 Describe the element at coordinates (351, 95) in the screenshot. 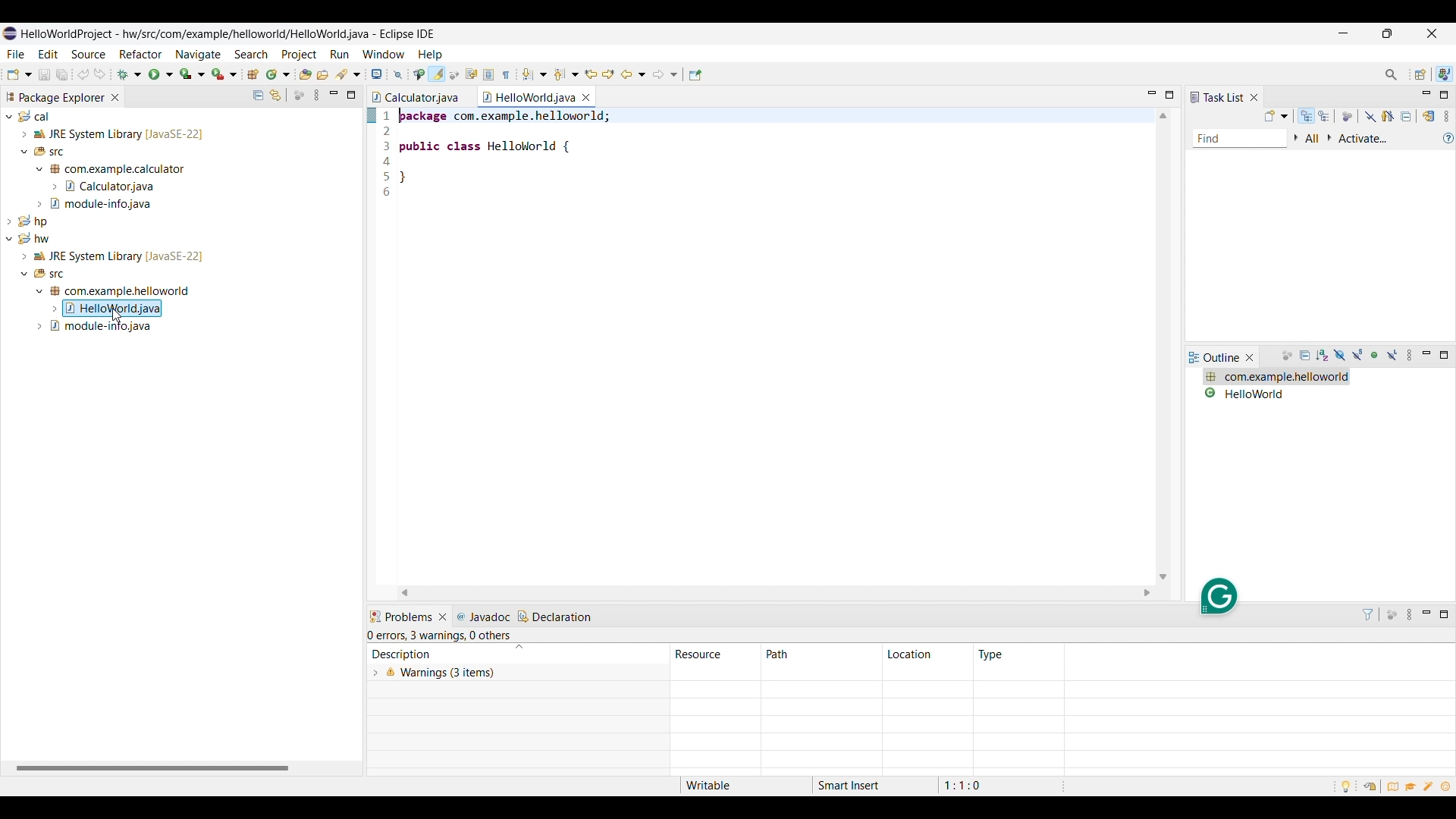

I see `Maximize` at that location.